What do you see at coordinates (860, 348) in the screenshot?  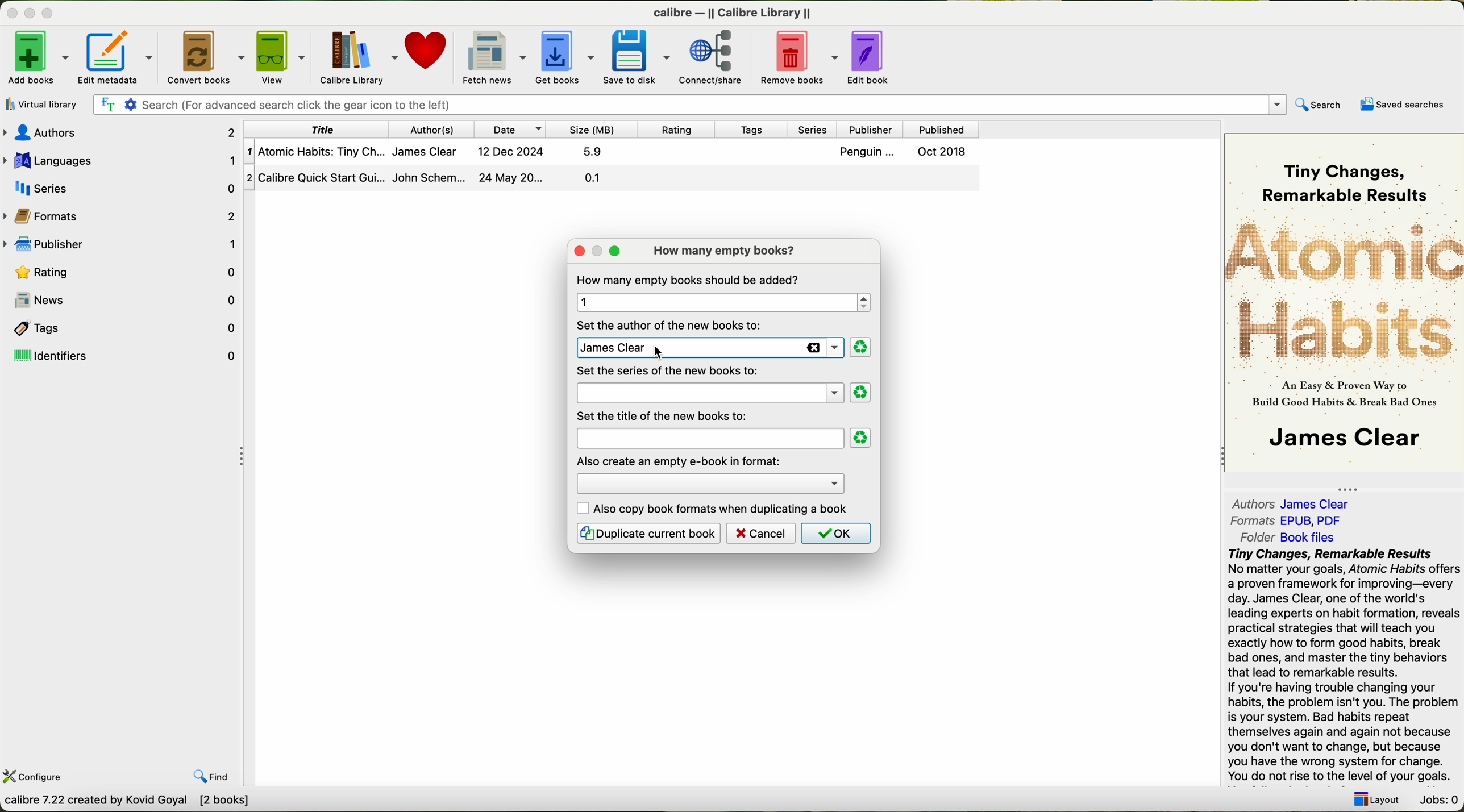 I see `clear` at bounding box center [860, 348].